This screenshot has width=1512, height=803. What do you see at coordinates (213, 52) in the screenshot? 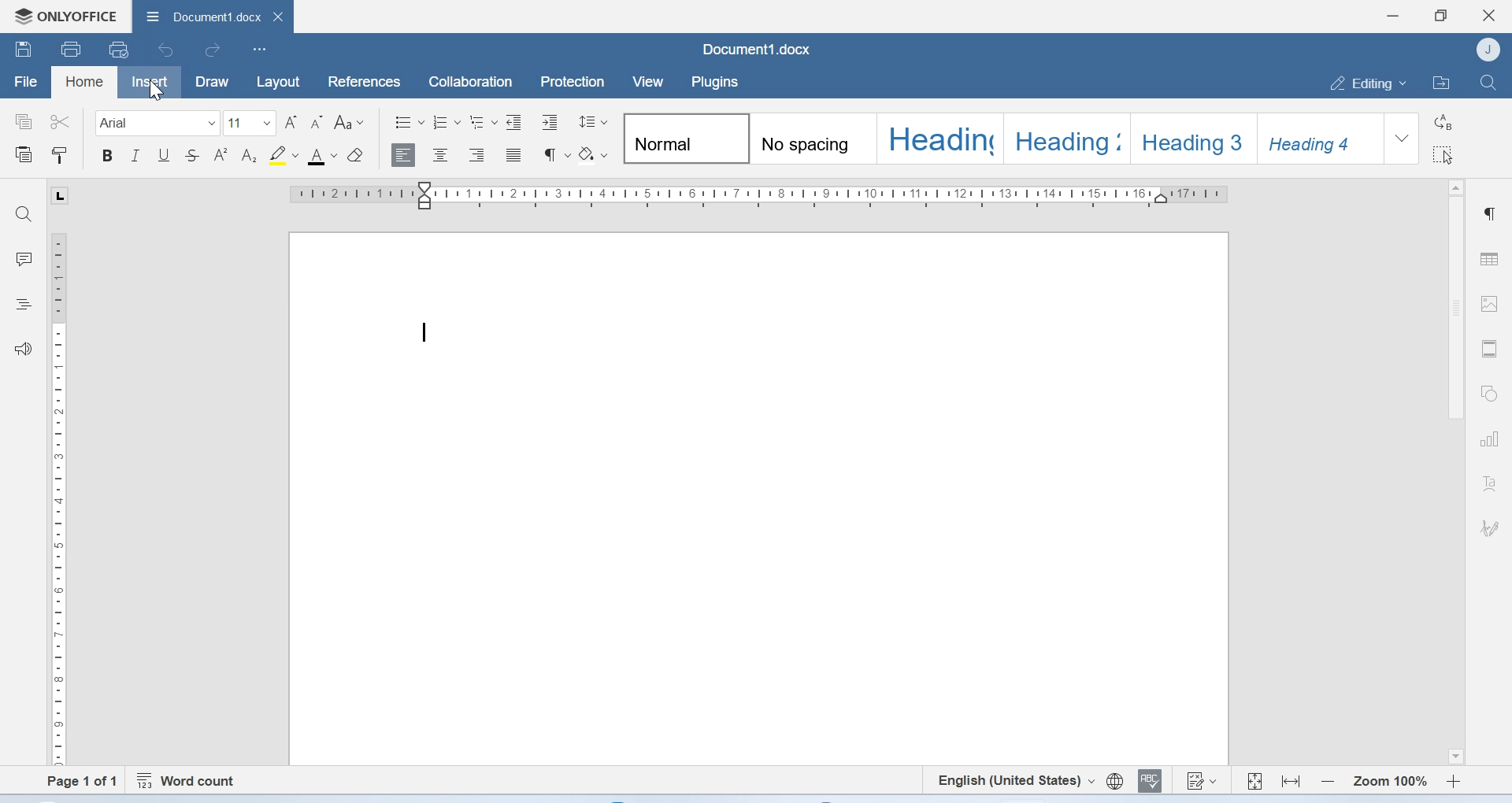
I see `redo` at bounding box center [213, 52].